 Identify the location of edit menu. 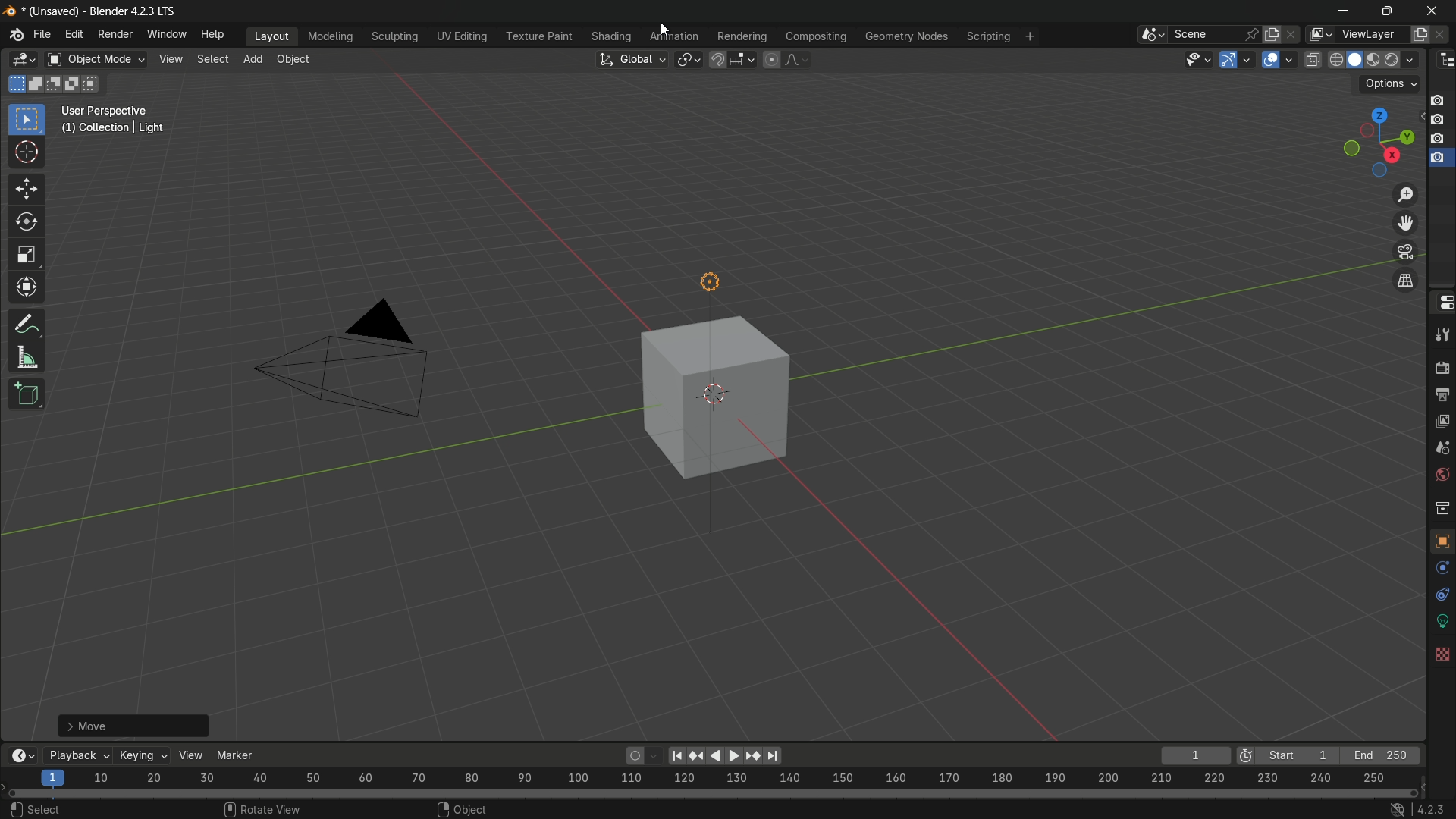
(73, 35).